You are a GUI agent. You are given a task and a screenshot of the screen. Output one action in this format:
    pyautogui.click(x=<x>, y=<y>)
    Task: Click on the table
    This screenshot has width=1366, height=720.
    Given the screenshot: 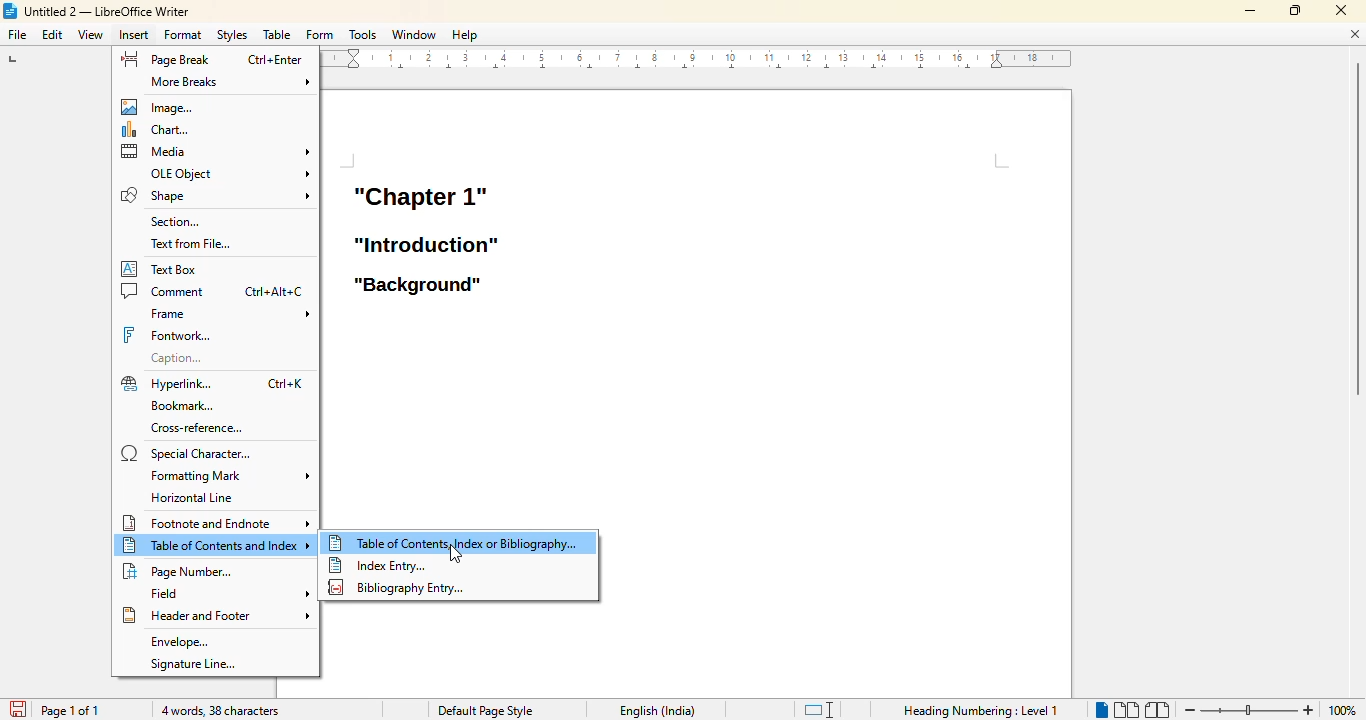 What is the action you would take?
    pyautogui.click(x=277, y=34)
    